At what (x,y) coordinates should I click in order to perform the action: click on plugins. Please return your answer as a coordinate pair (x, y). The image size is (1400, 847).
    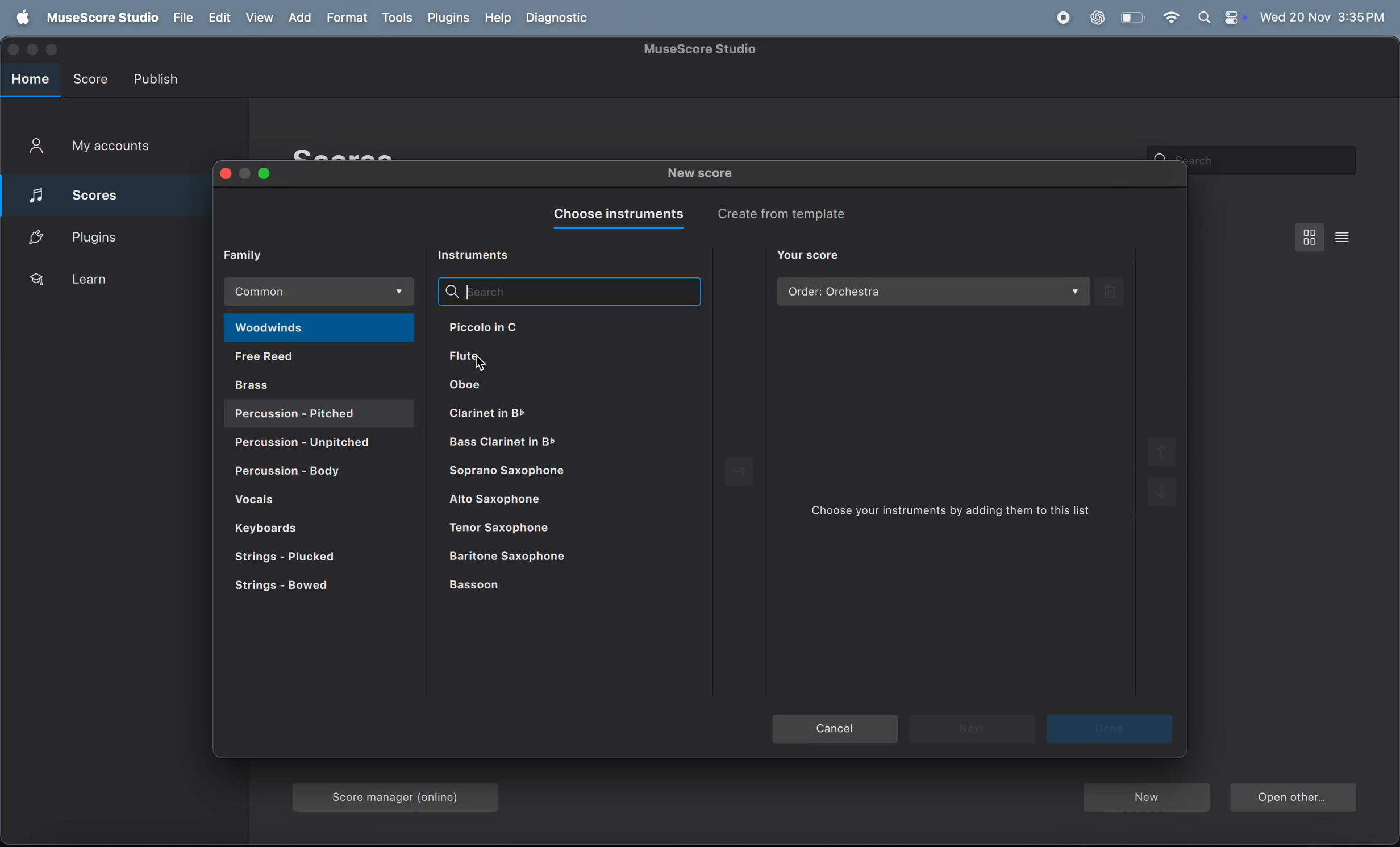
    Looking at the image, I should click on (101, 236).